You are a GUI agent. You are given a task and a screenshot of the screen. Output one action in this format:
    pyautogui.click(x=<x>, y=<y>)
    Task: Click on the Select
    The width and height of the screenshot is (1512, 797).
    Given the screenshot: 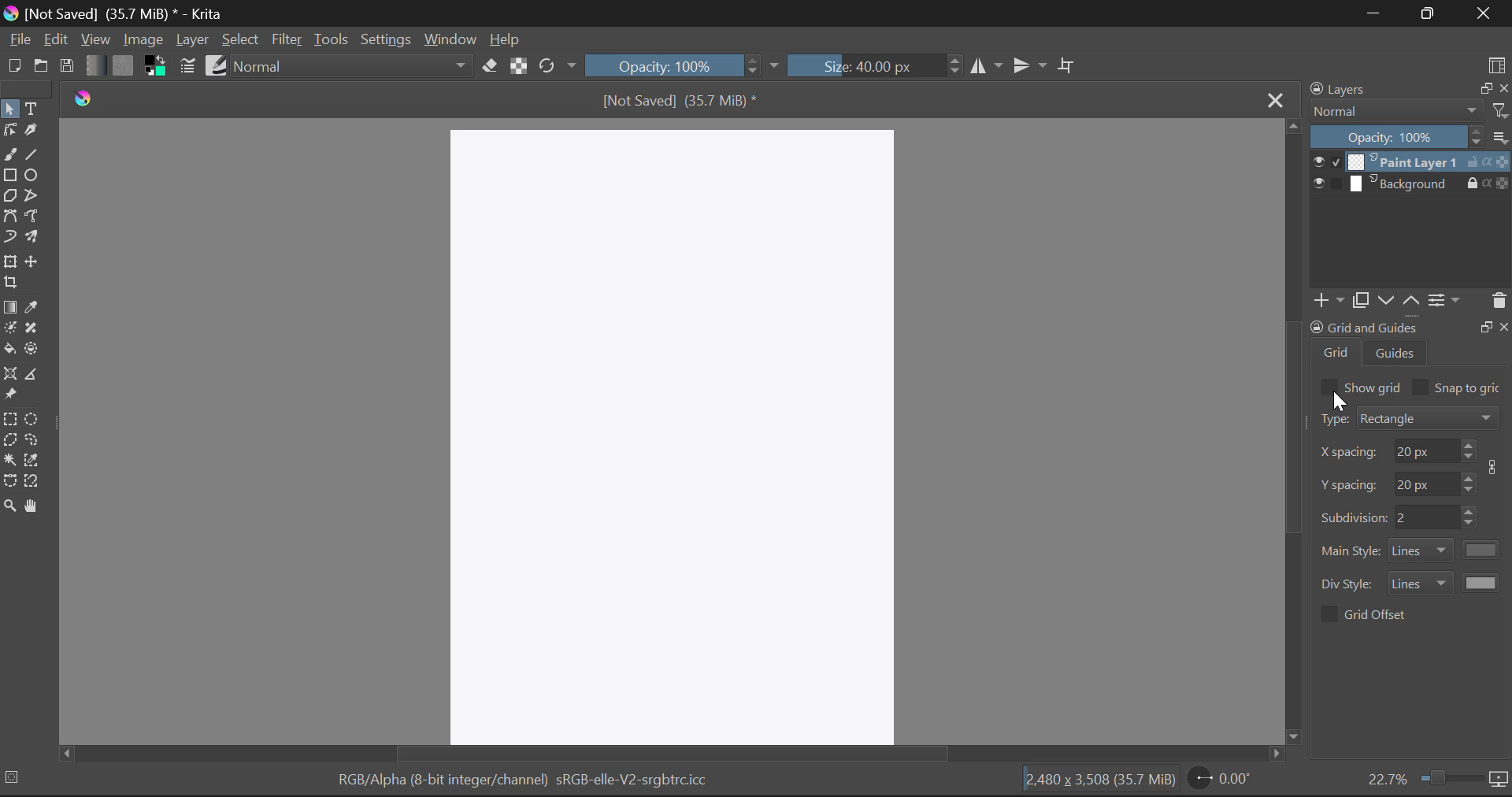 What is the action you would take?
    pyautogui.click(x=241, y=40)
    